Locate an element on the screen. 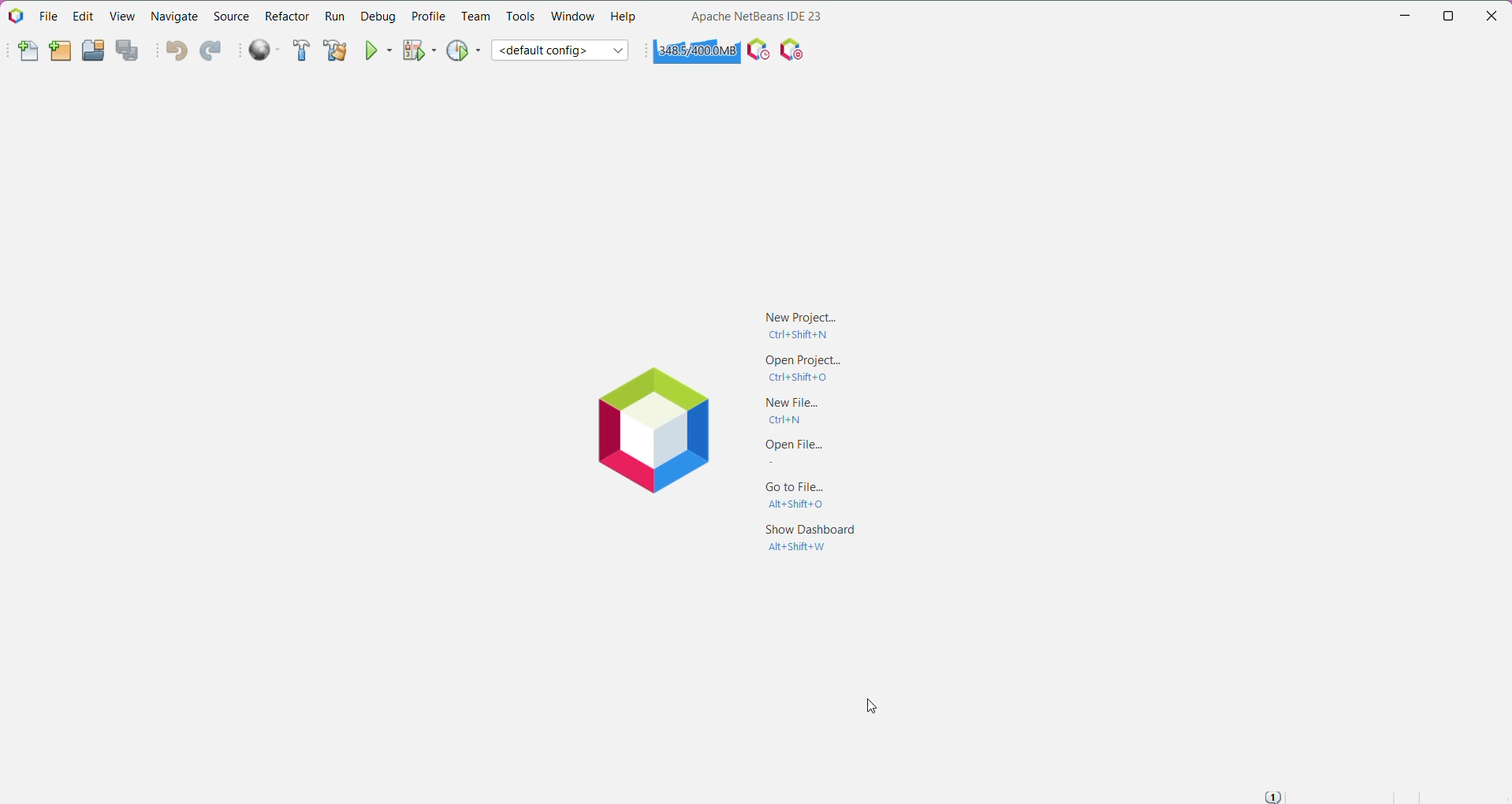 Image resolution: width=1512 pixels, height=804 pixels. Close is located at coordinates (1495, 13).